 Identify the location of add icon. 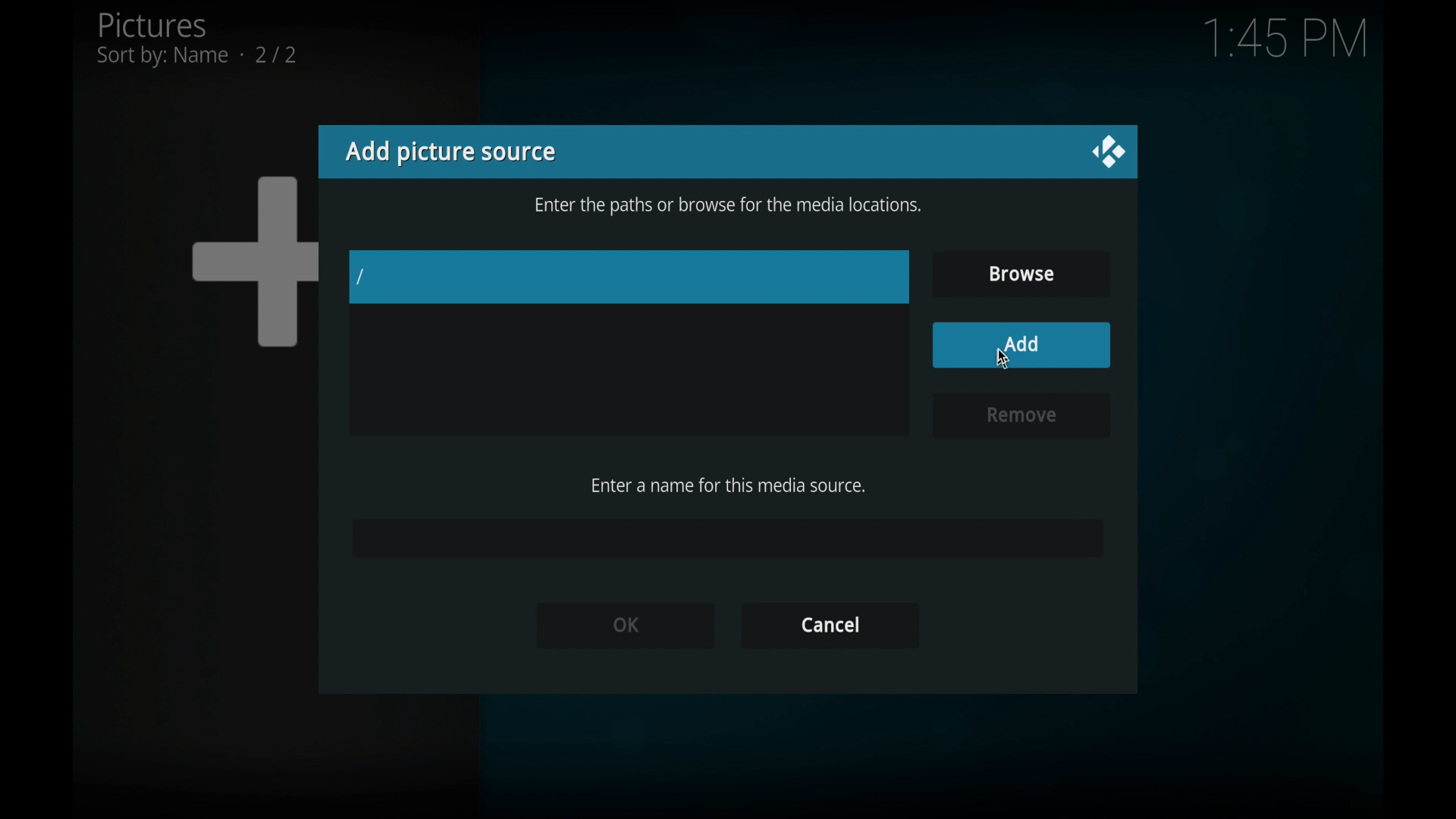
(253, 260).